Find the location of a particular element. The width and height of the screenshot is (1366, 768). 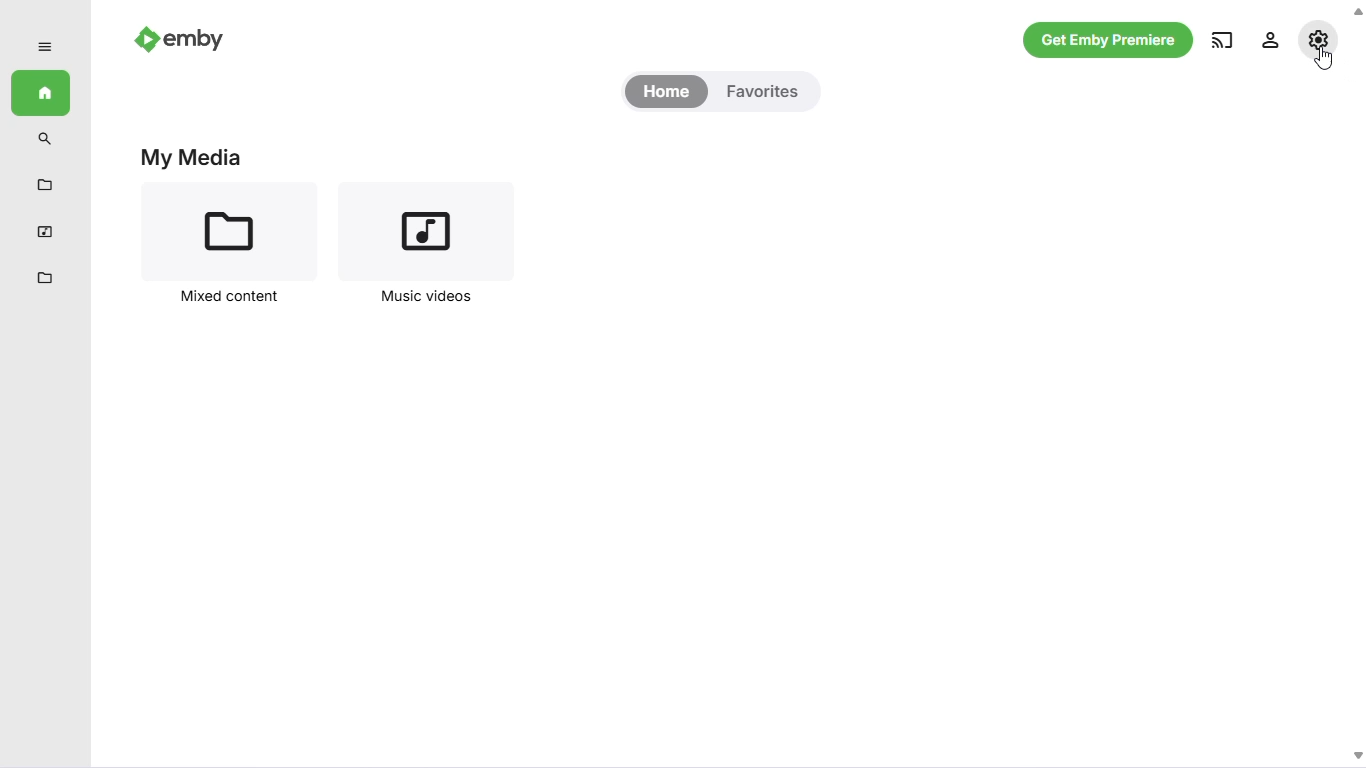

music videos is located at coordinates (429, 229).